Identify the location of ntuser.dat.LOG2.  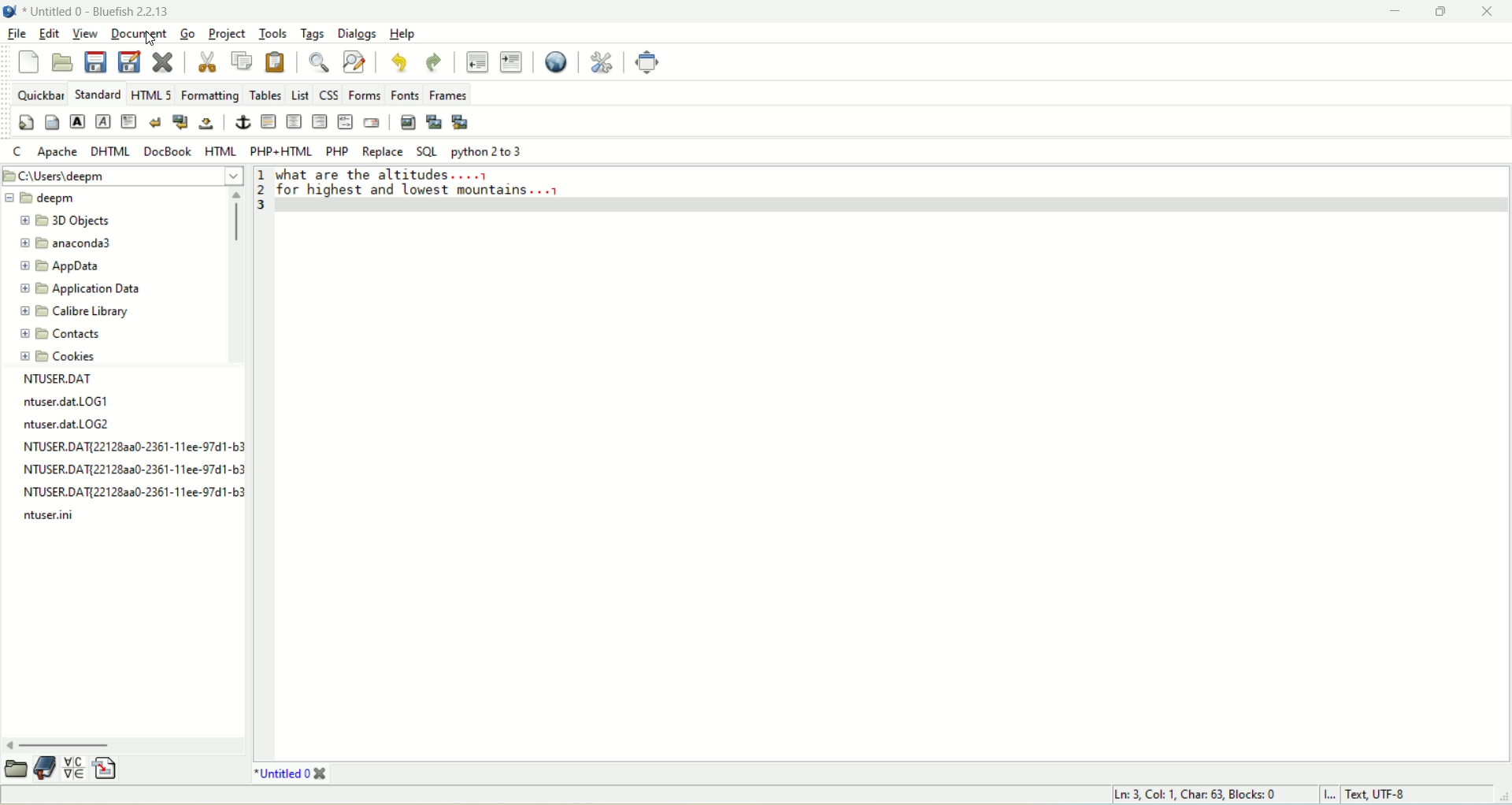
(78, 425).